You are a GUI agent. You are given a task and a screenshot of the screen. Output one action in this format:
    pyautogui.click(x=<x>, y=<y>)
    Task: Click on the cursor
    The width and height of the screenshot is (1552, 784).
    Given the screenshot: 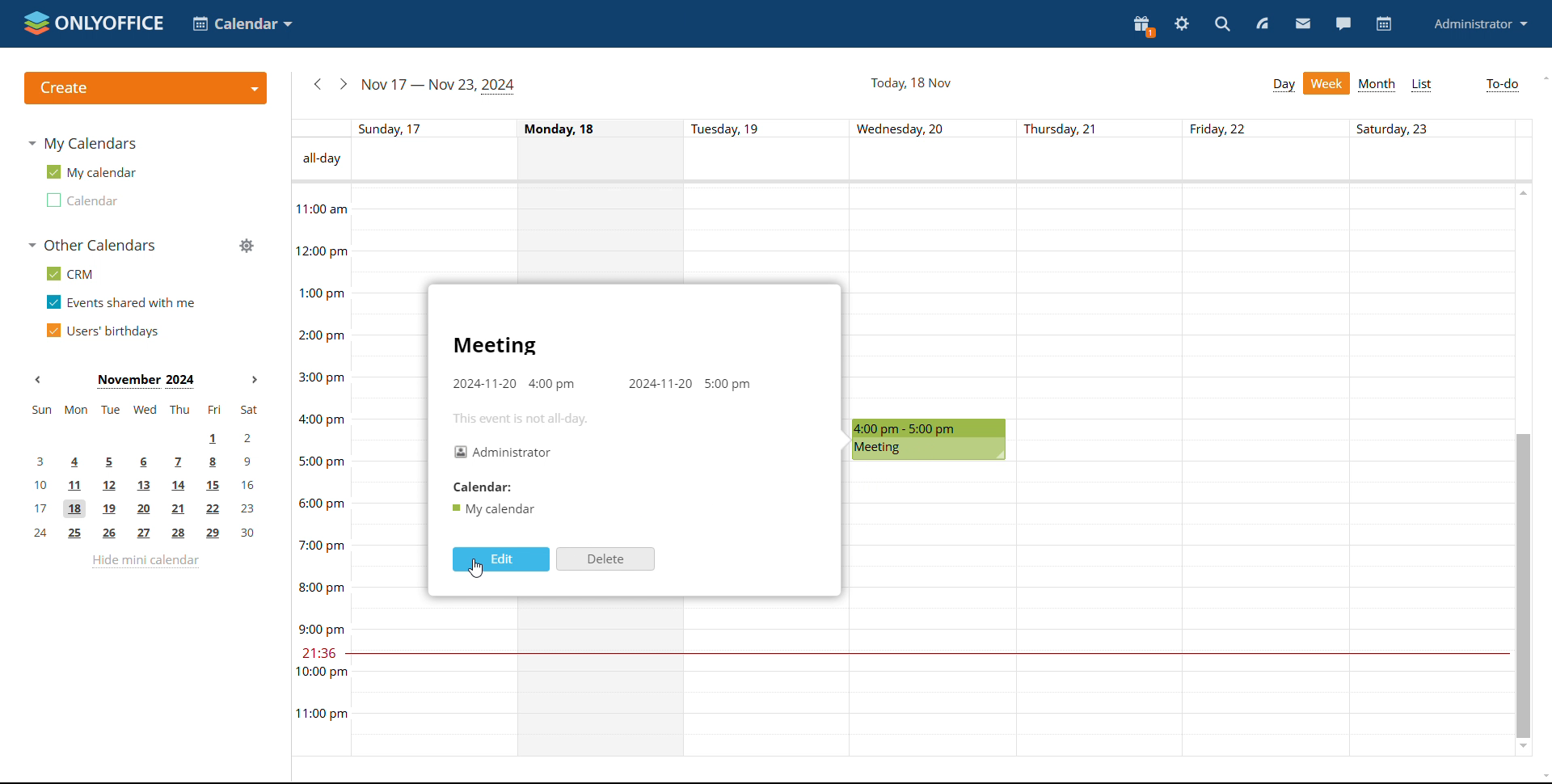 What is the action you would take?
    pyautogui.click(x=475, y=569)
    